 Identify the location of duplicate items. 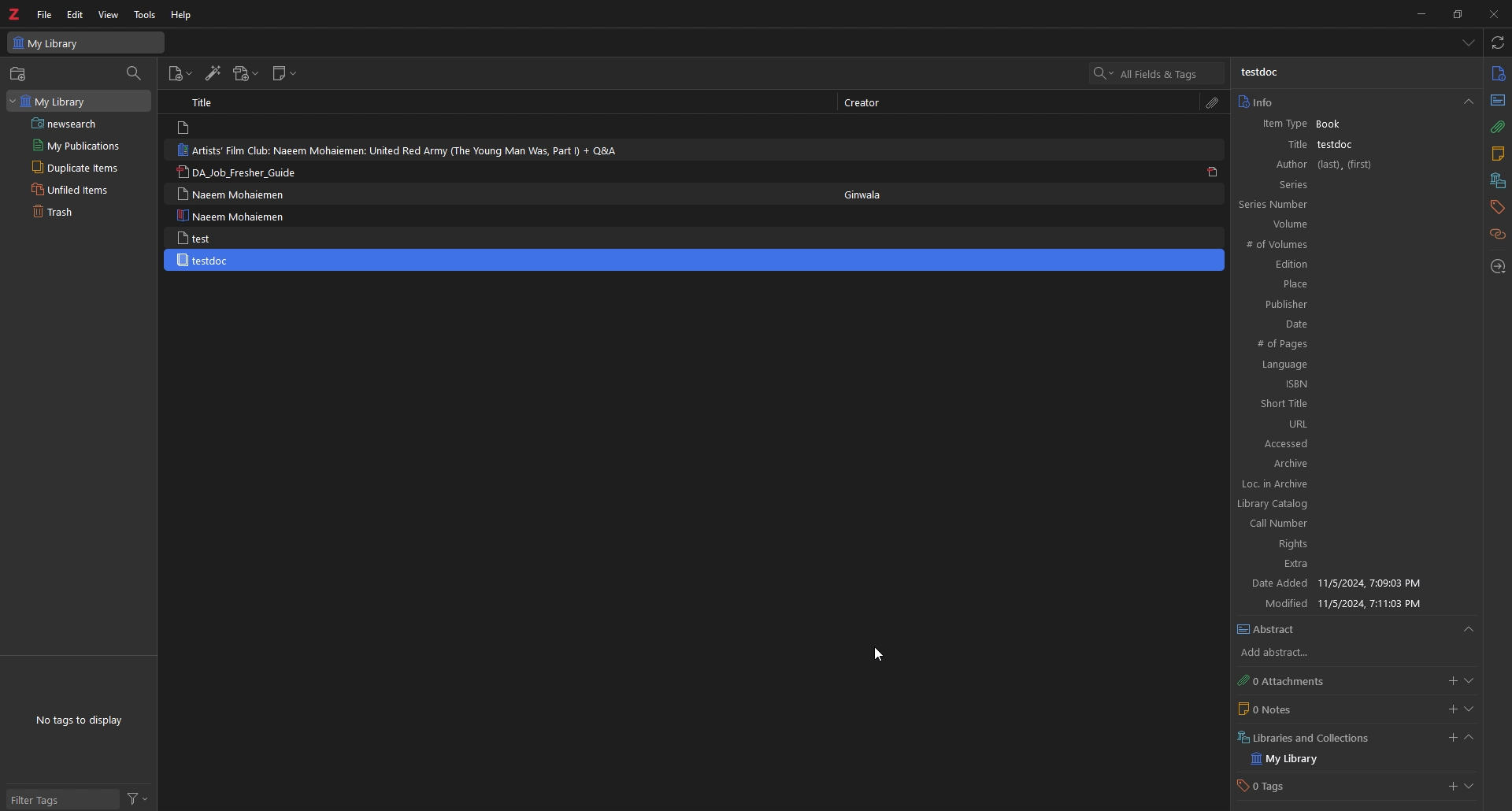
(72, 167).